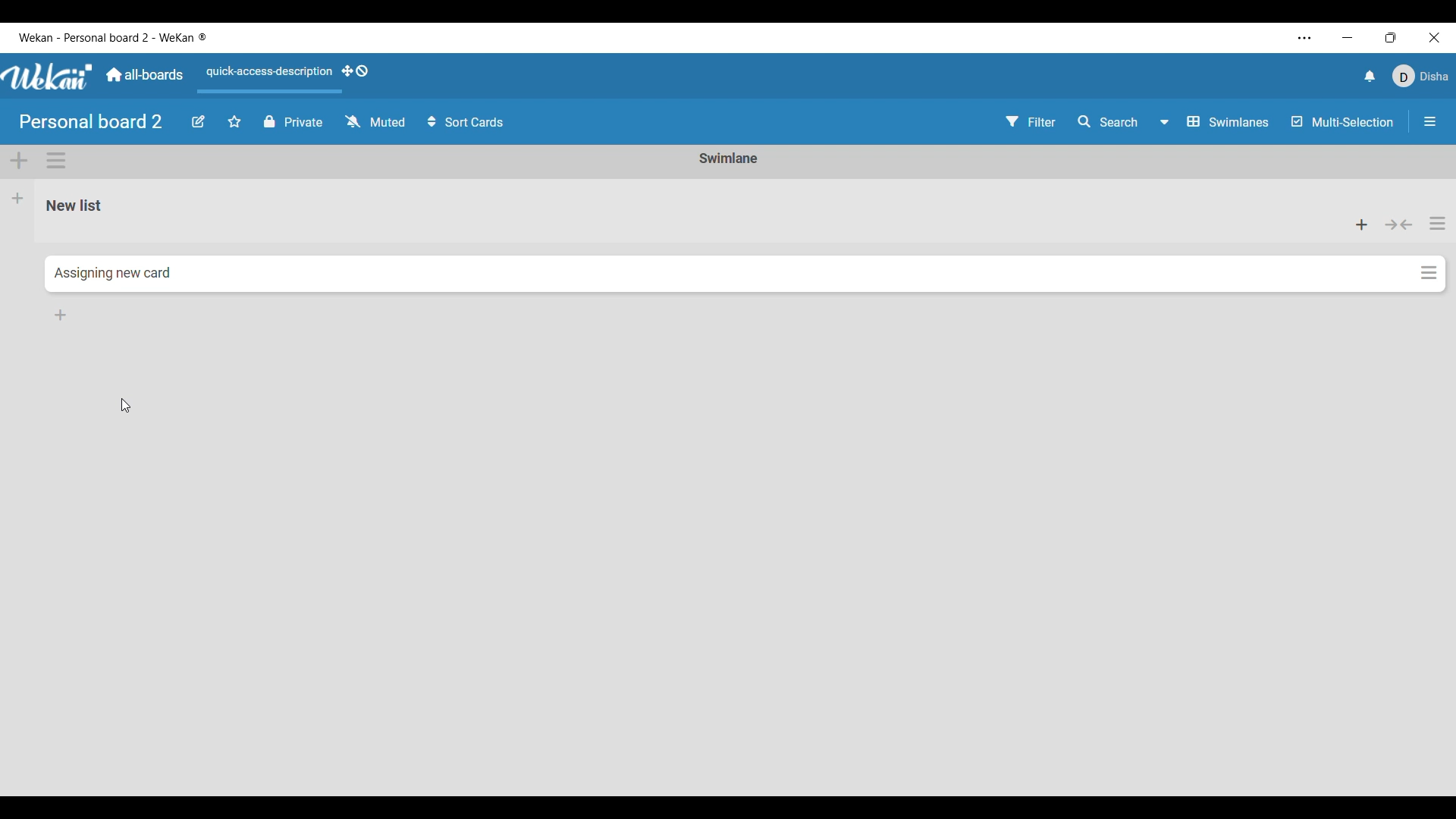  Describe the element at coordinates (20, 162) in the screenshot. I see `Add swimlane` at that location.